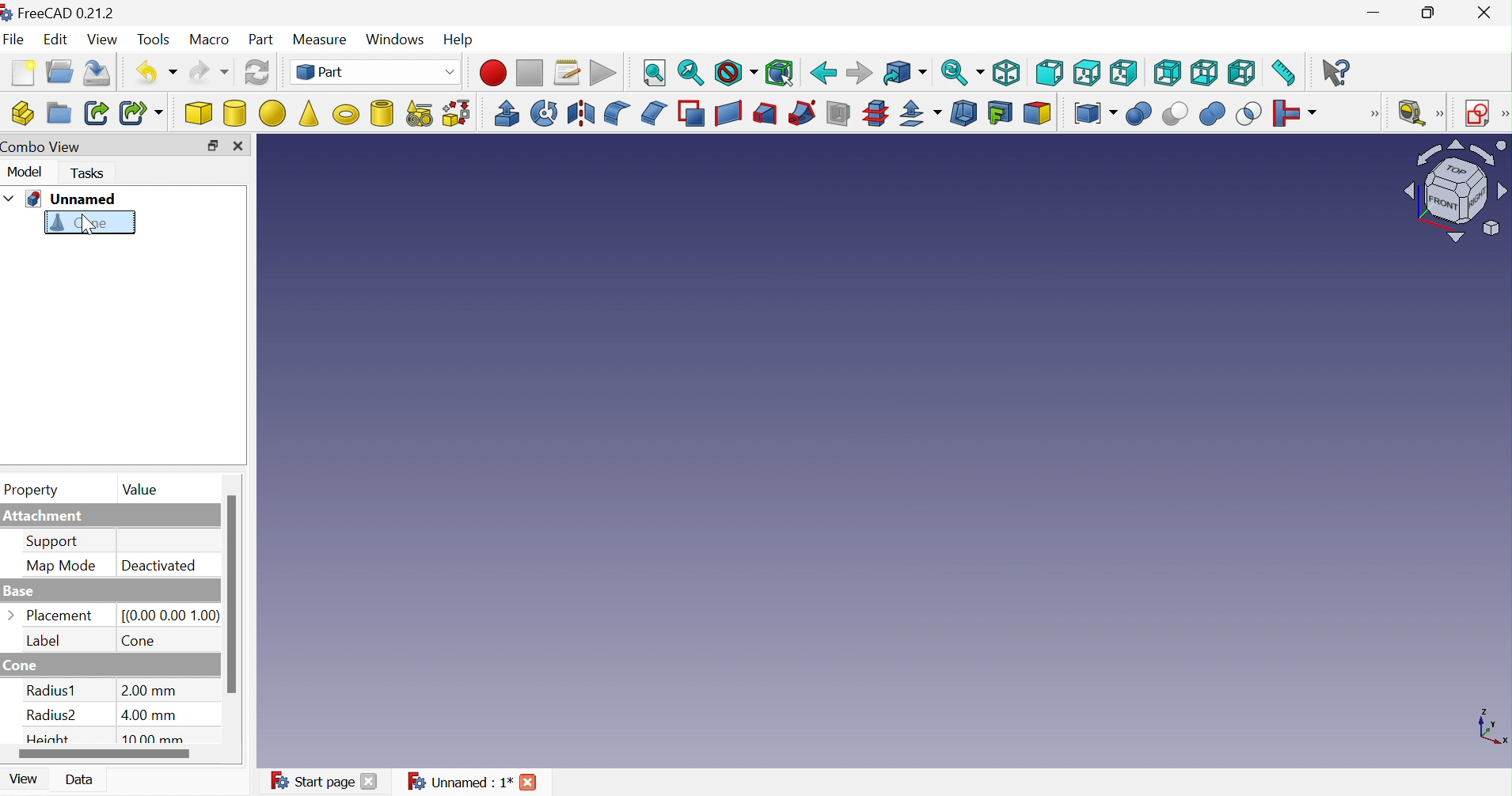 The width and height of the screenshot is (1512, 796). Describe the element at coordinates (1286, 73) in the screenshot. I see `Measure distance` at that location.